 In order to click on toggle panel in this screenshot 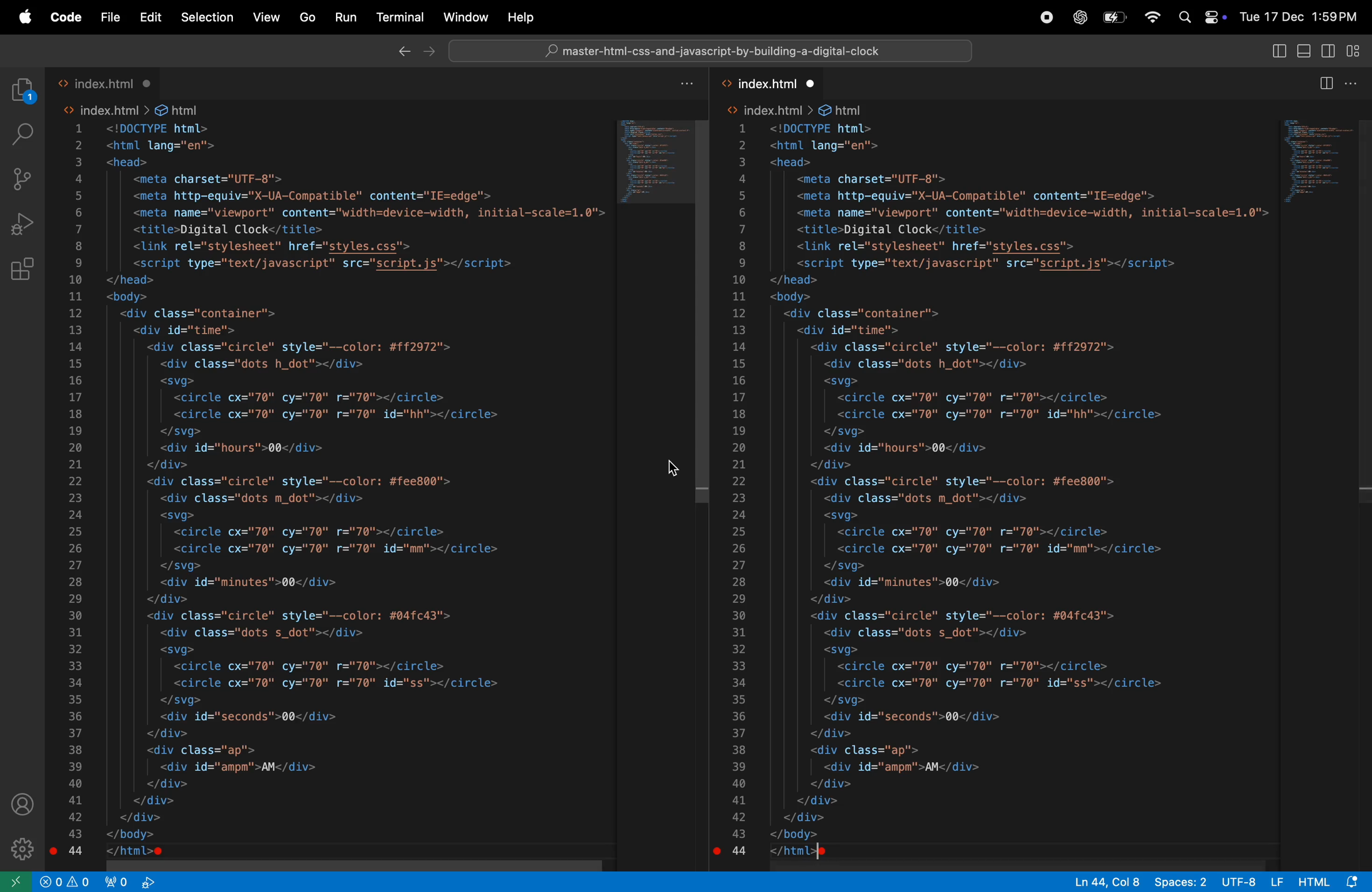, I will do `click(1276, 52)`.